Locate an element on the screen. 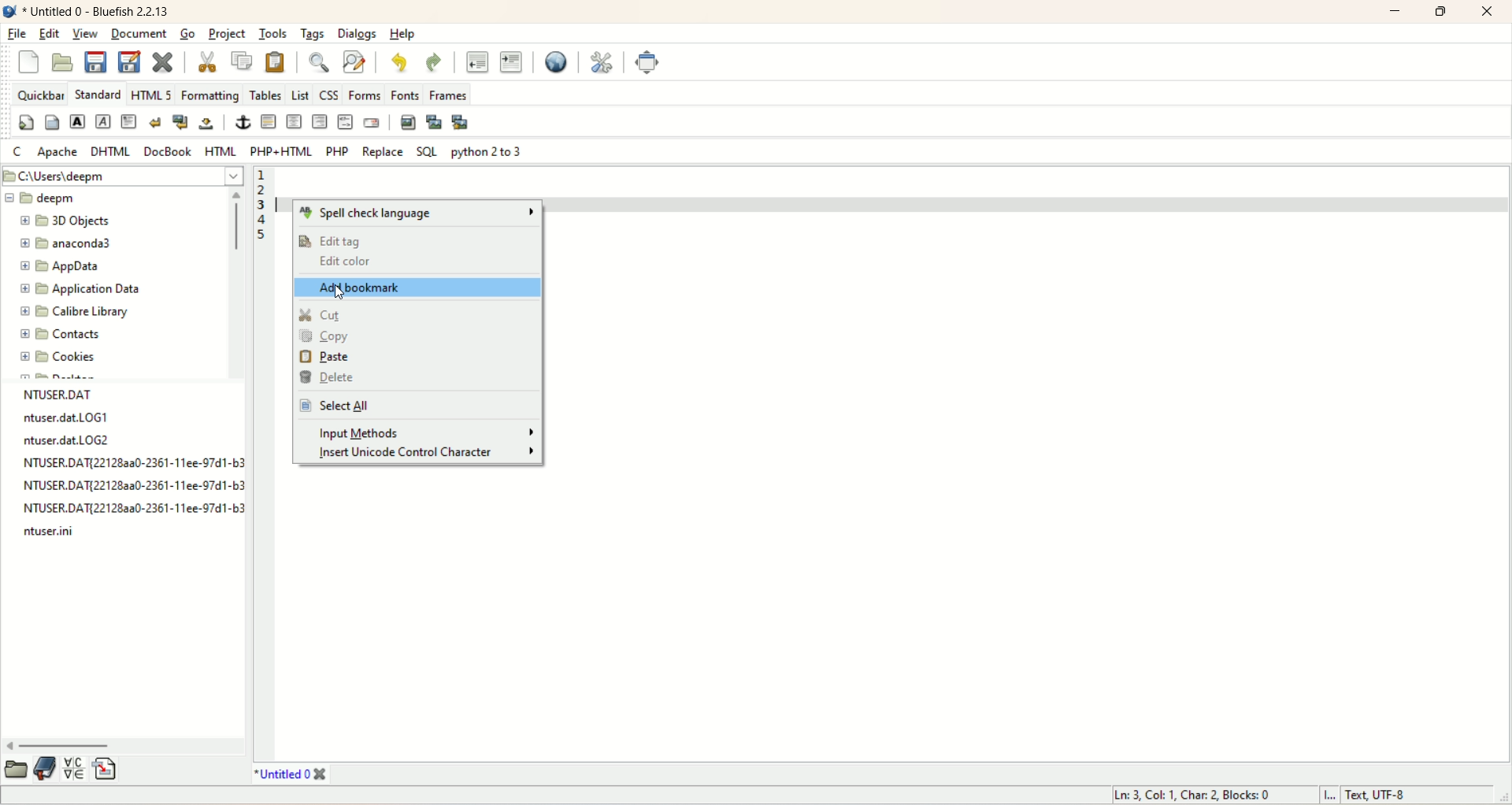  MULTI-THUMBNAIL is located at coordinates (463, 124).